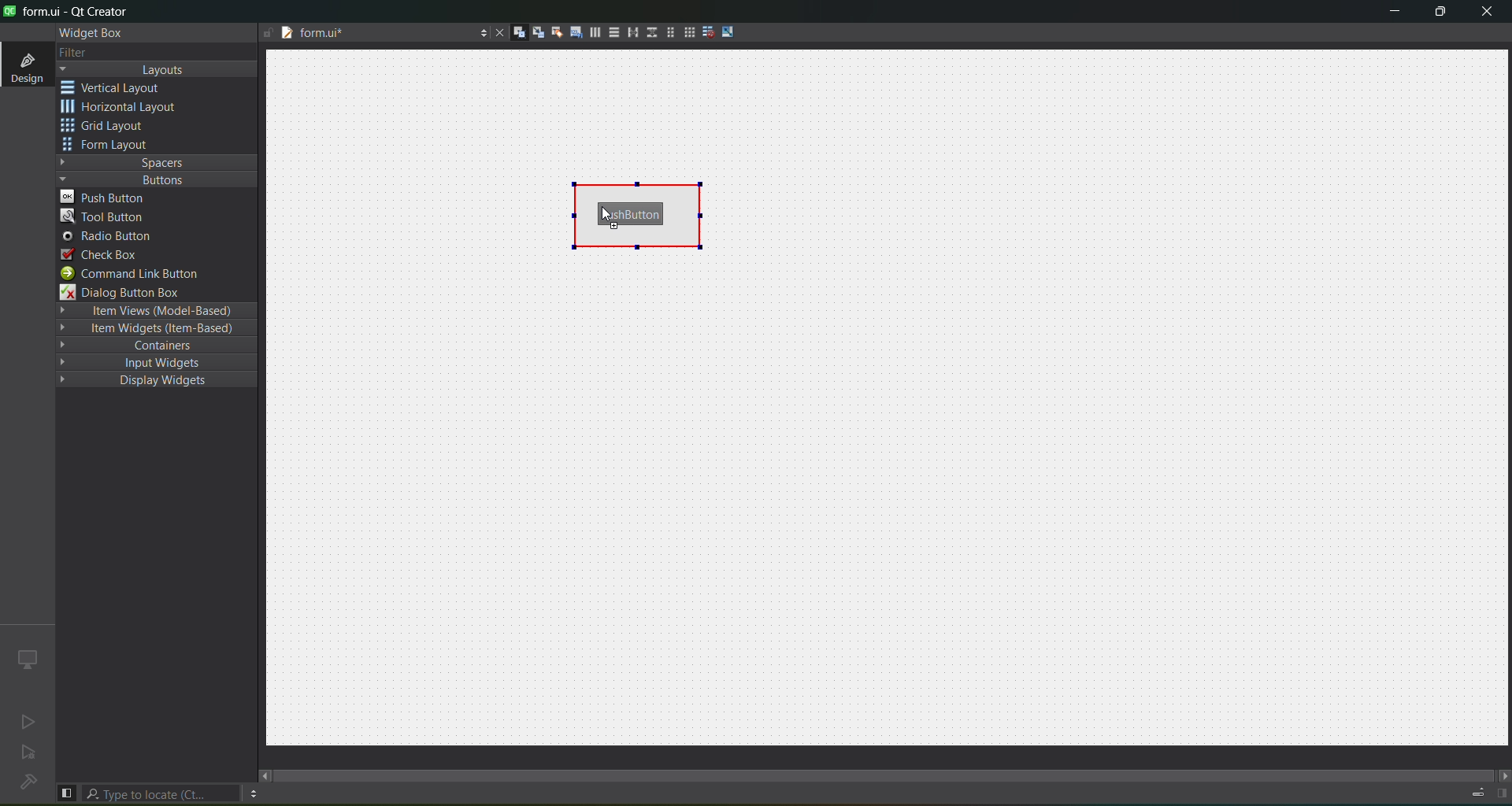  What do you see at coordinates (1438, 13) in the screenshot?
I see `maximize` at bounding box center [1438, 13].